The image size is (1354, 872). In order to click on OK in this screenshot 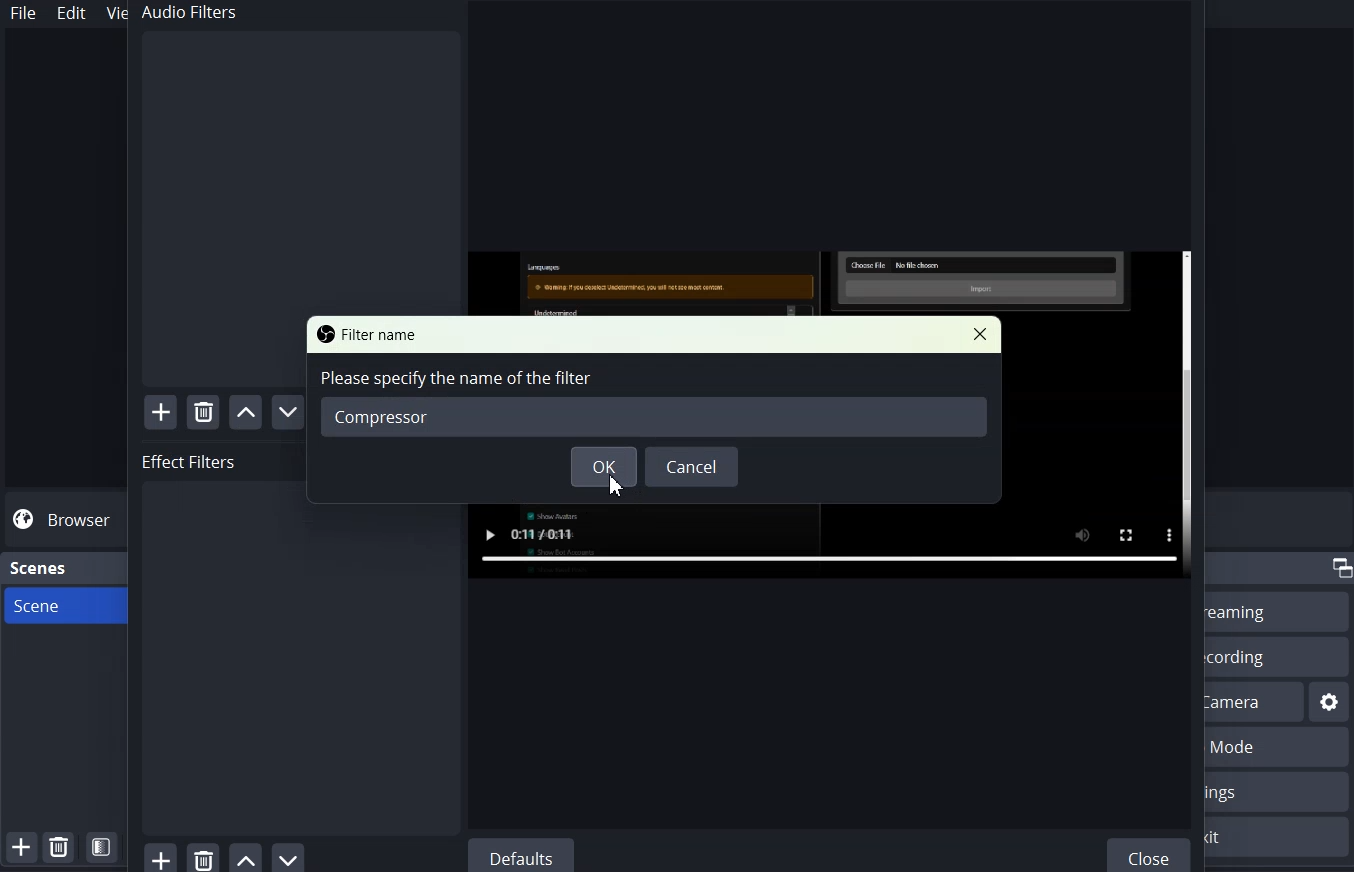, I will do `click(604, 466)`.